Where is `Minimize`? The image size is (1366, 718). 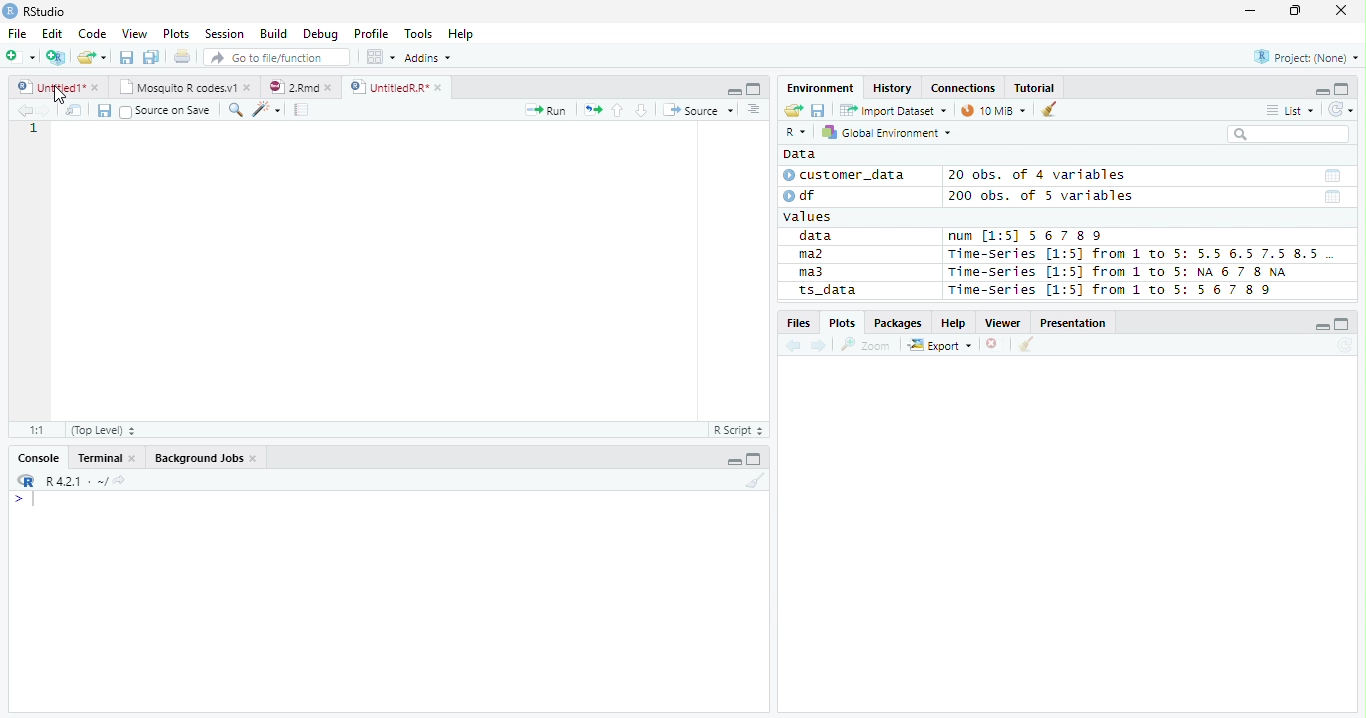
Minimize is located at coordinates (735, 459).